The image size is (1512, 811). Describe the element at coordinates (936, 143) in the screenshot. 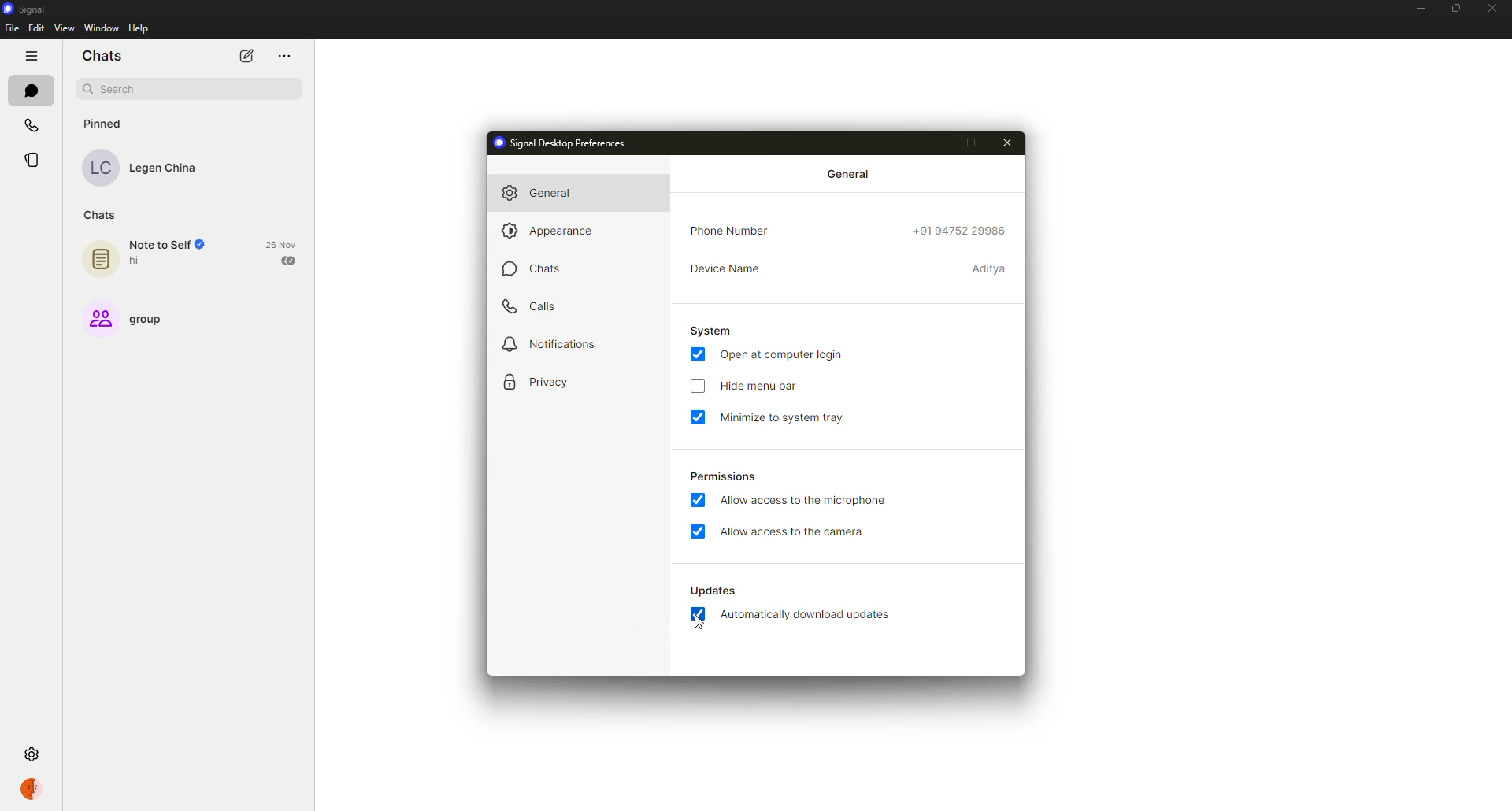

I see `minimize` at that location.